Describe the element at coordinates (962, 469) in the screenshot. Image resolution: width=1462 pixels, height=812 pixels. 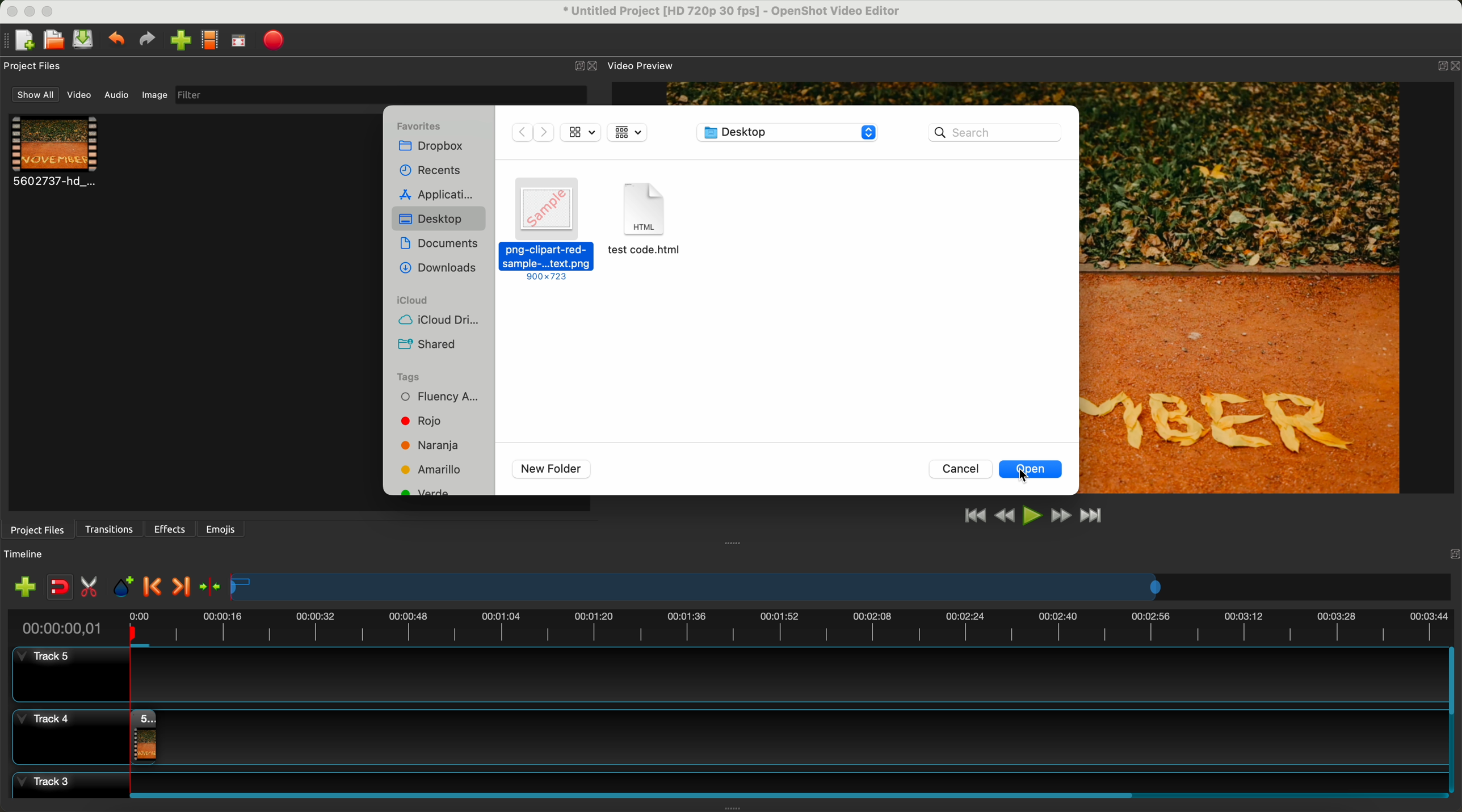
I see `cancel button` at that location.